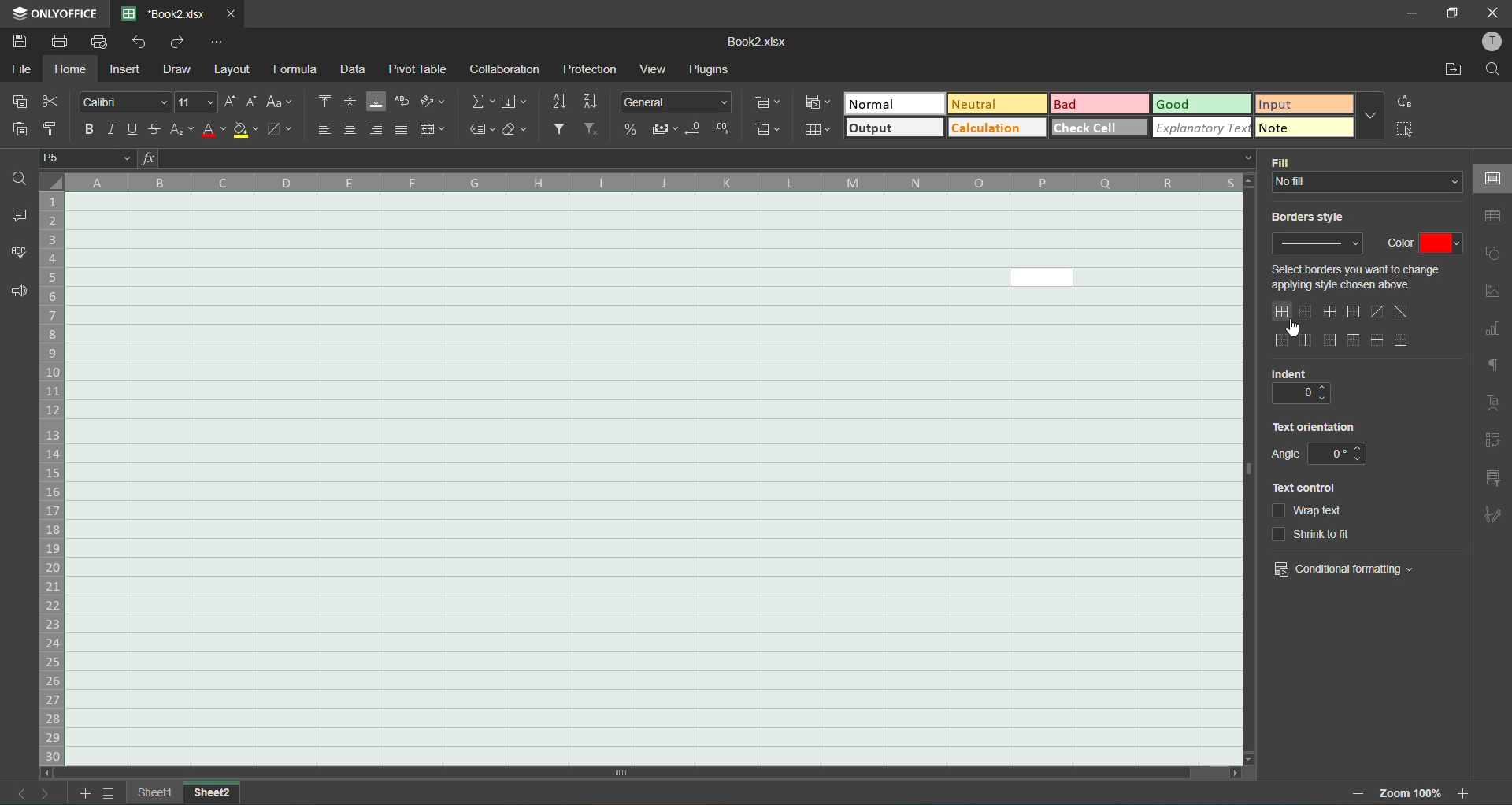  Describe the element at coordinates (1337, 454) in the screenshot. I see `0` at that location.